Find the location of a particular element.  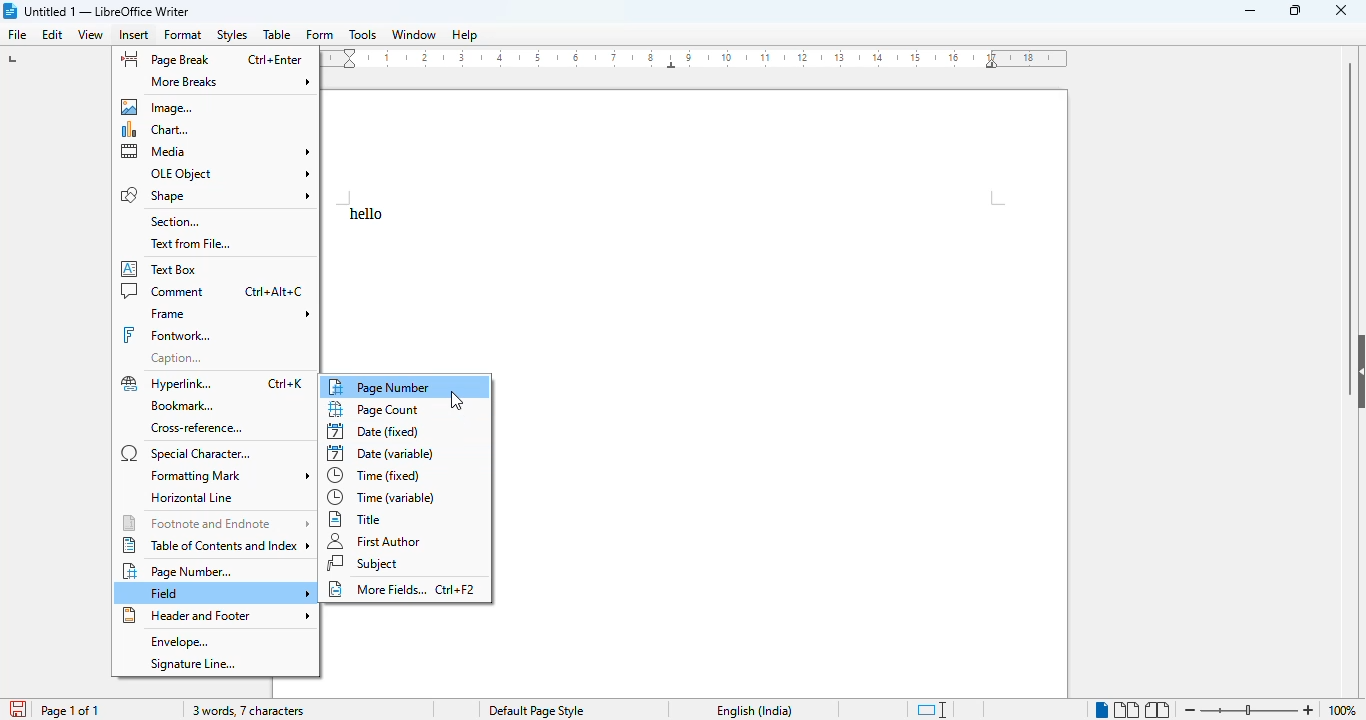

insert is located at coordinates (134, 35).